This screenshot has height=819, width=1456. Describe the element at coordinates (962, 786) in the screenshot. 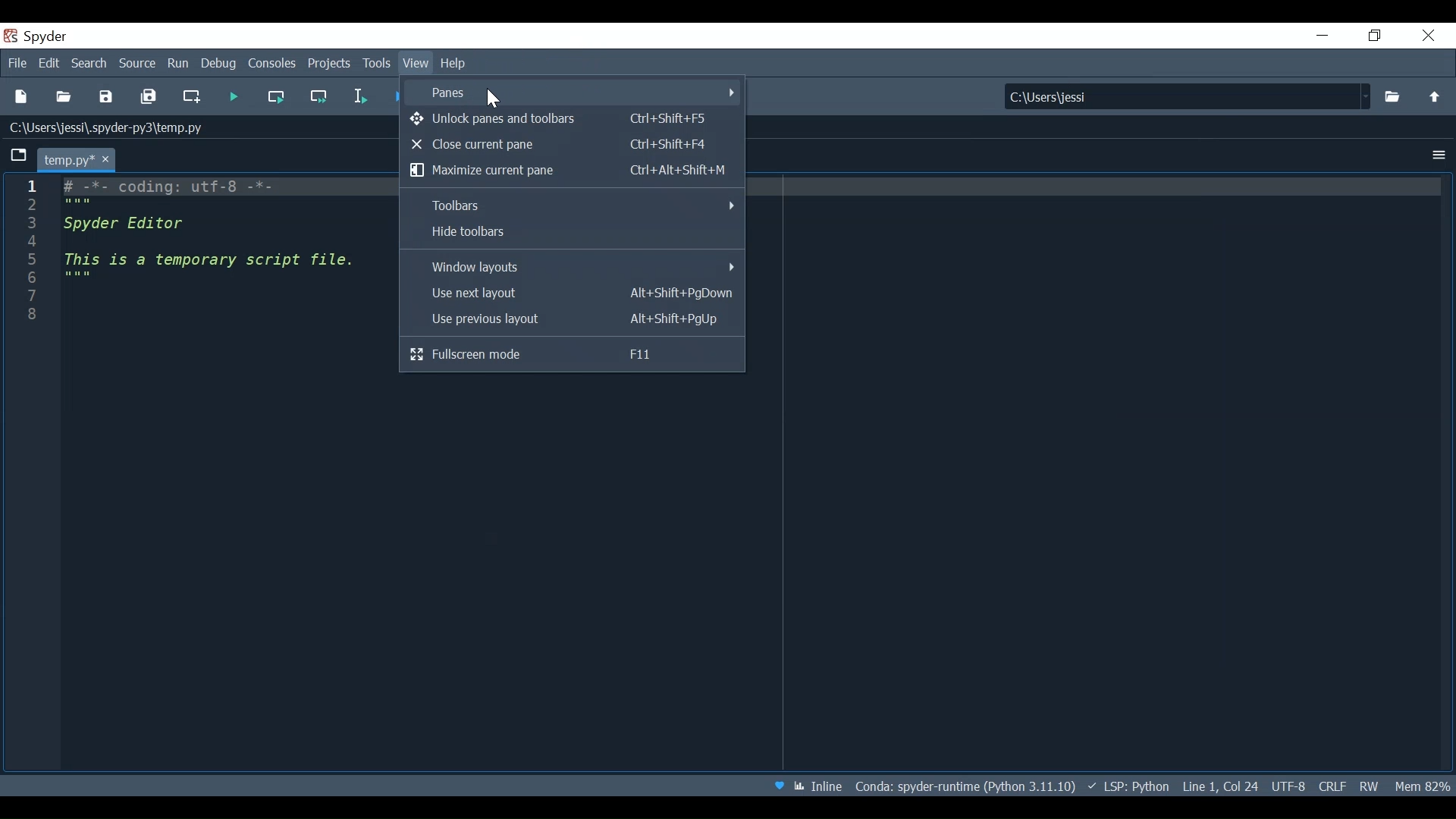

I see `File Path` at that location.